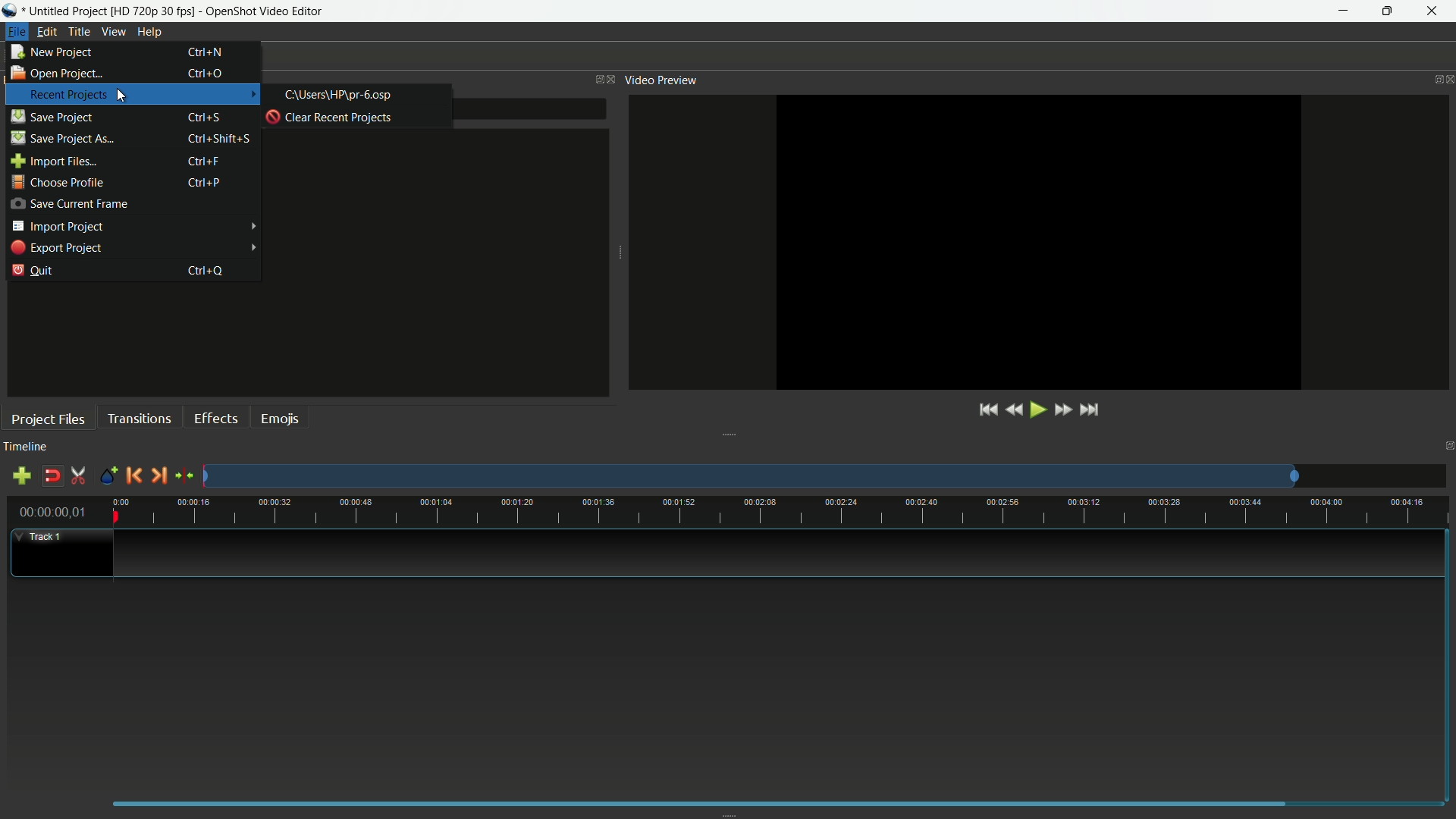  Describe the element at coordinates (66, 11) in the screenshot. I see `project name` at that location.